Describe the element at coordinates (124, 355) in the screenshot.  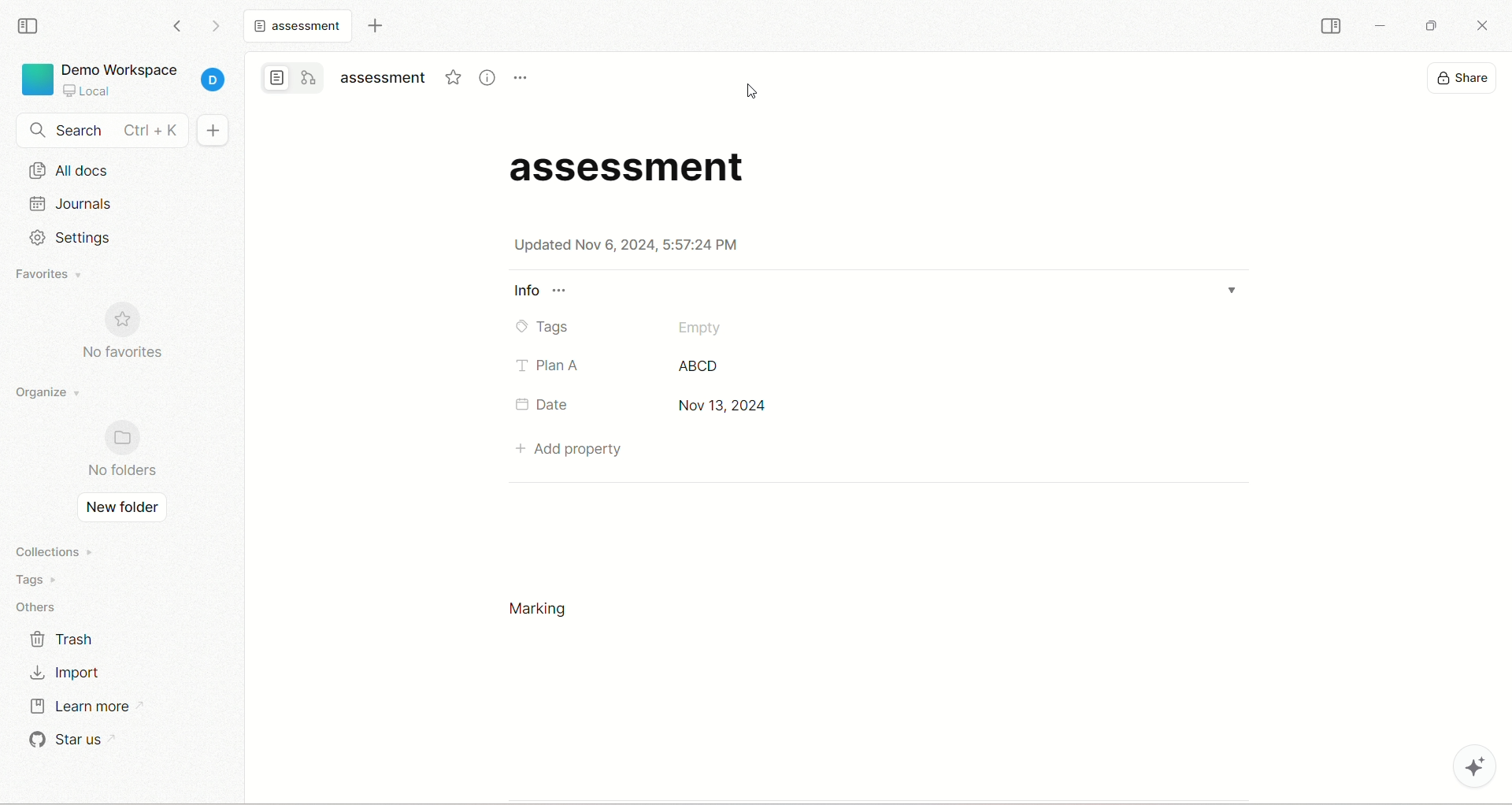
I see `no favorites` at that location.